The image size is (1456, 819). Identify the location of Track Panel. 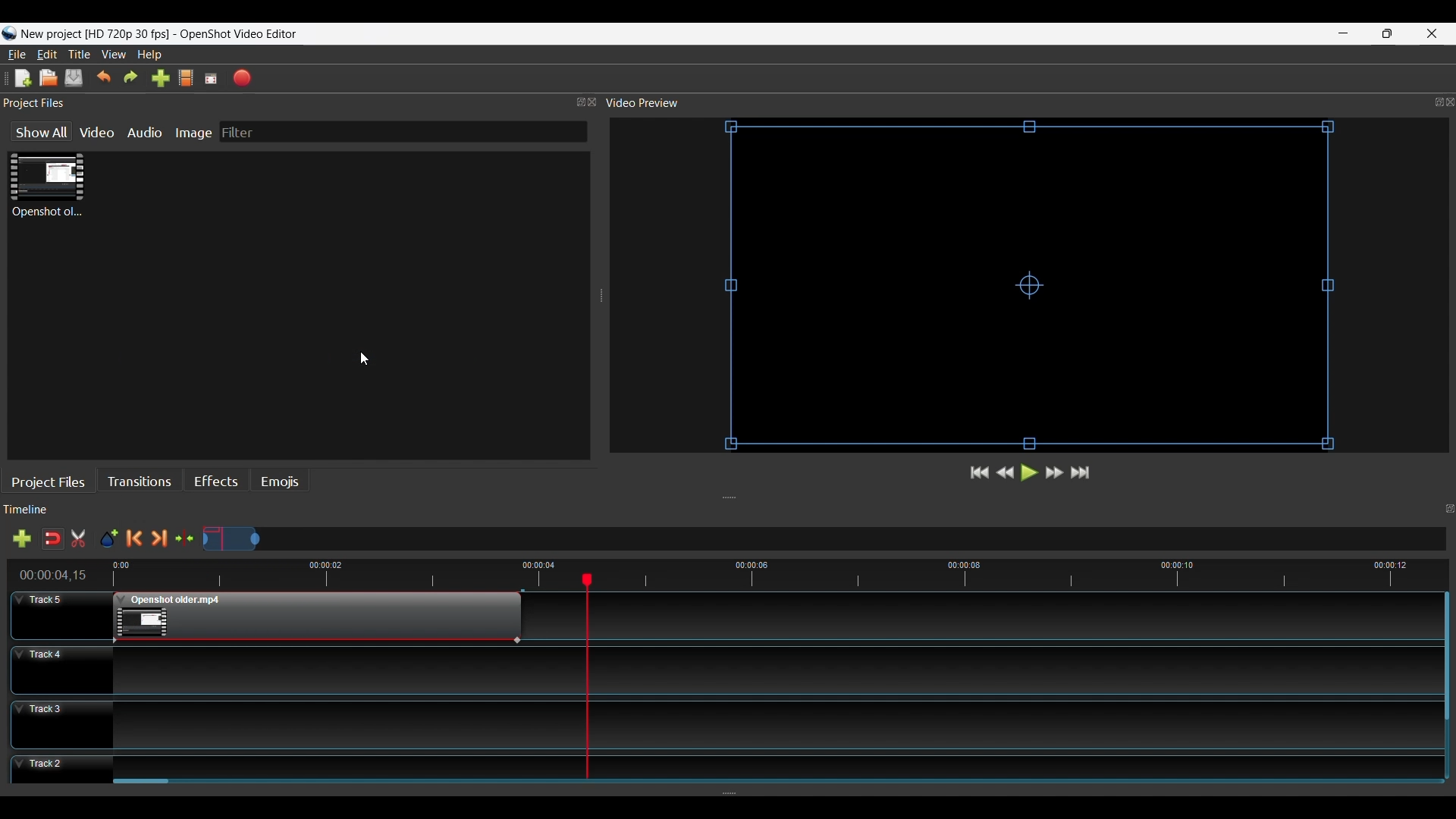
(770, 724).